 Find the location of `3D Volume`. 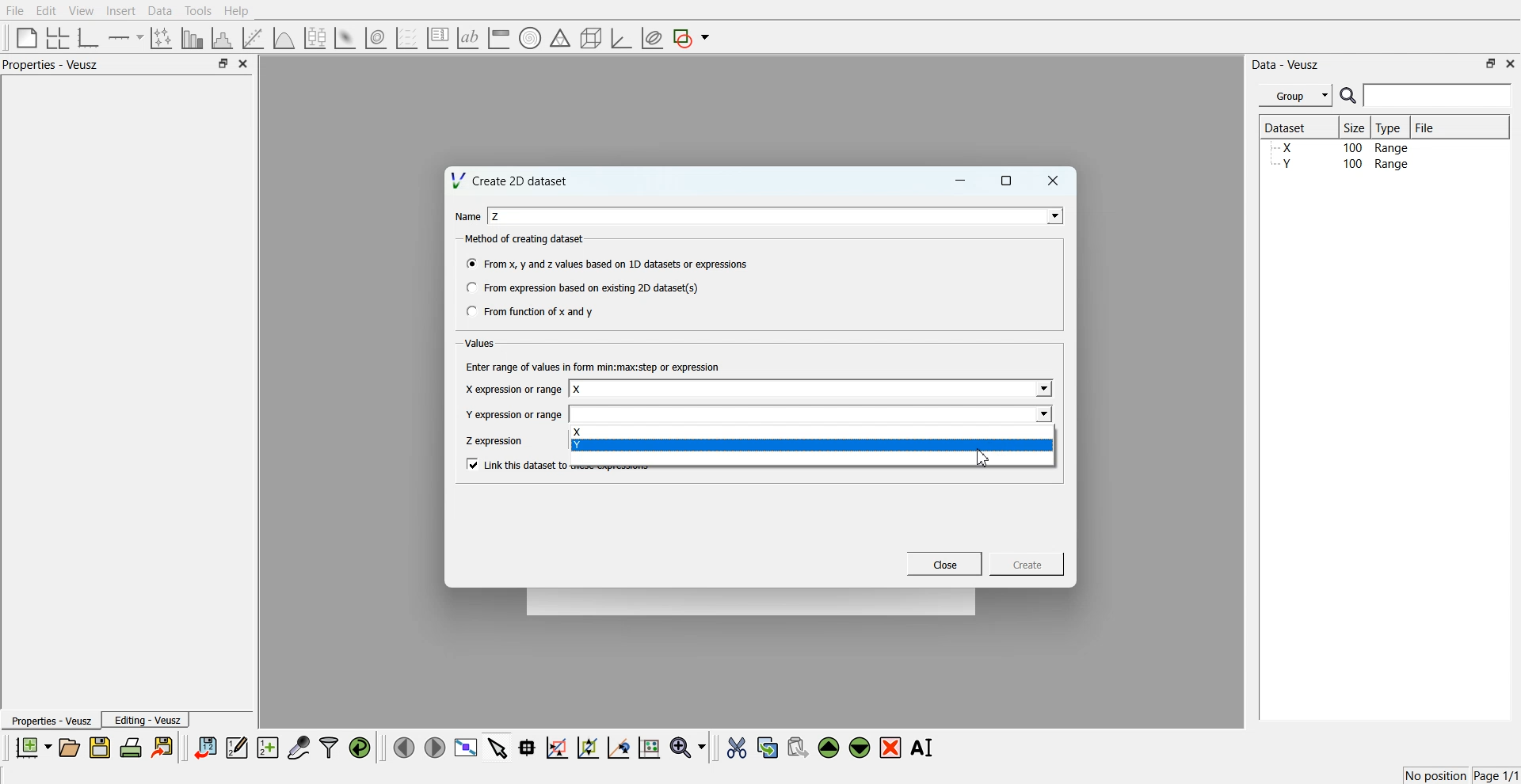

3D Volume is located at coordinates (375, 38).